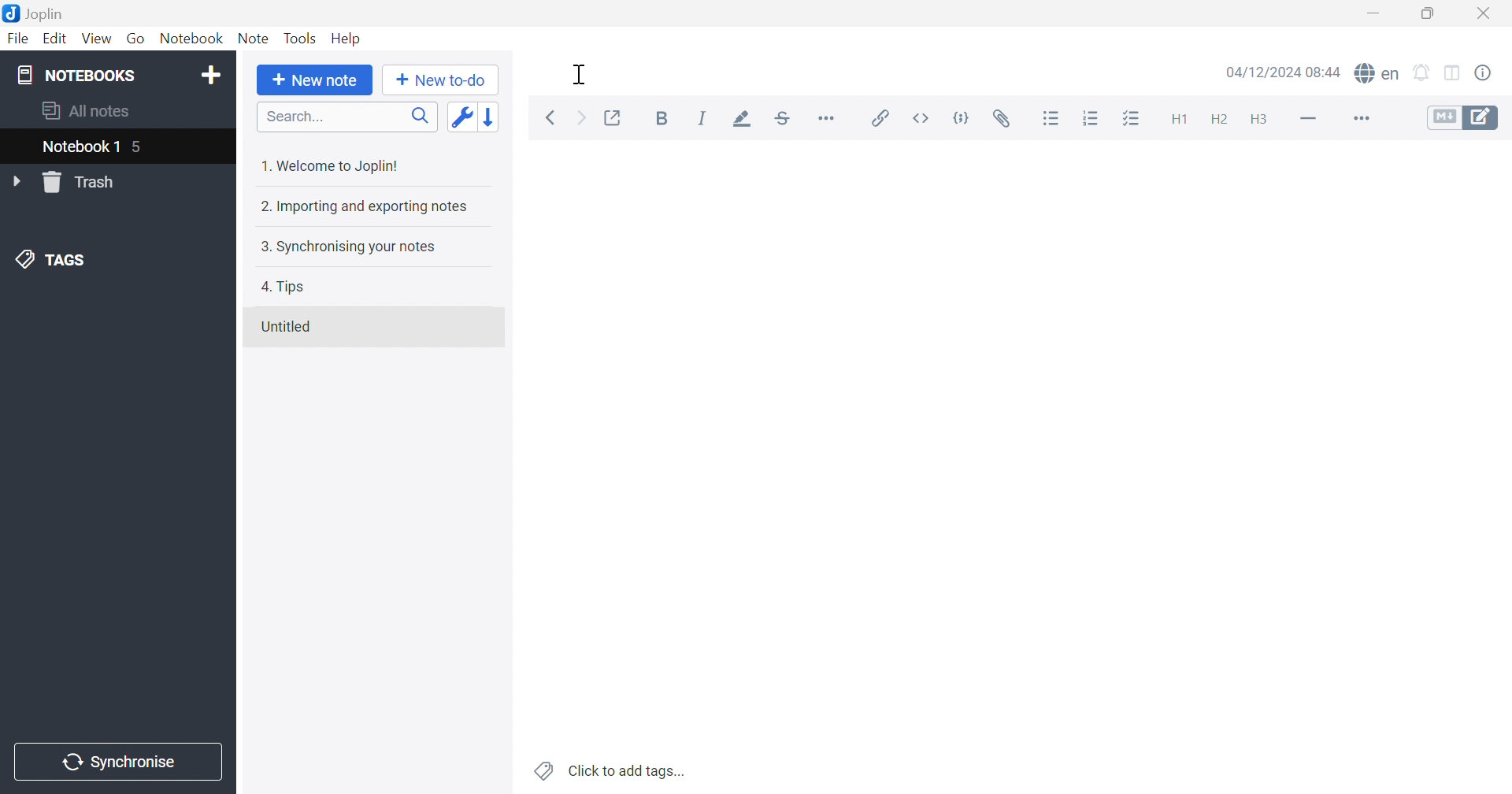 The image size is (1512, 794). What do you see at coordinates (491, 117) in the screenshot?
I see `Reverse sort order` at bounding box center [491, 117].